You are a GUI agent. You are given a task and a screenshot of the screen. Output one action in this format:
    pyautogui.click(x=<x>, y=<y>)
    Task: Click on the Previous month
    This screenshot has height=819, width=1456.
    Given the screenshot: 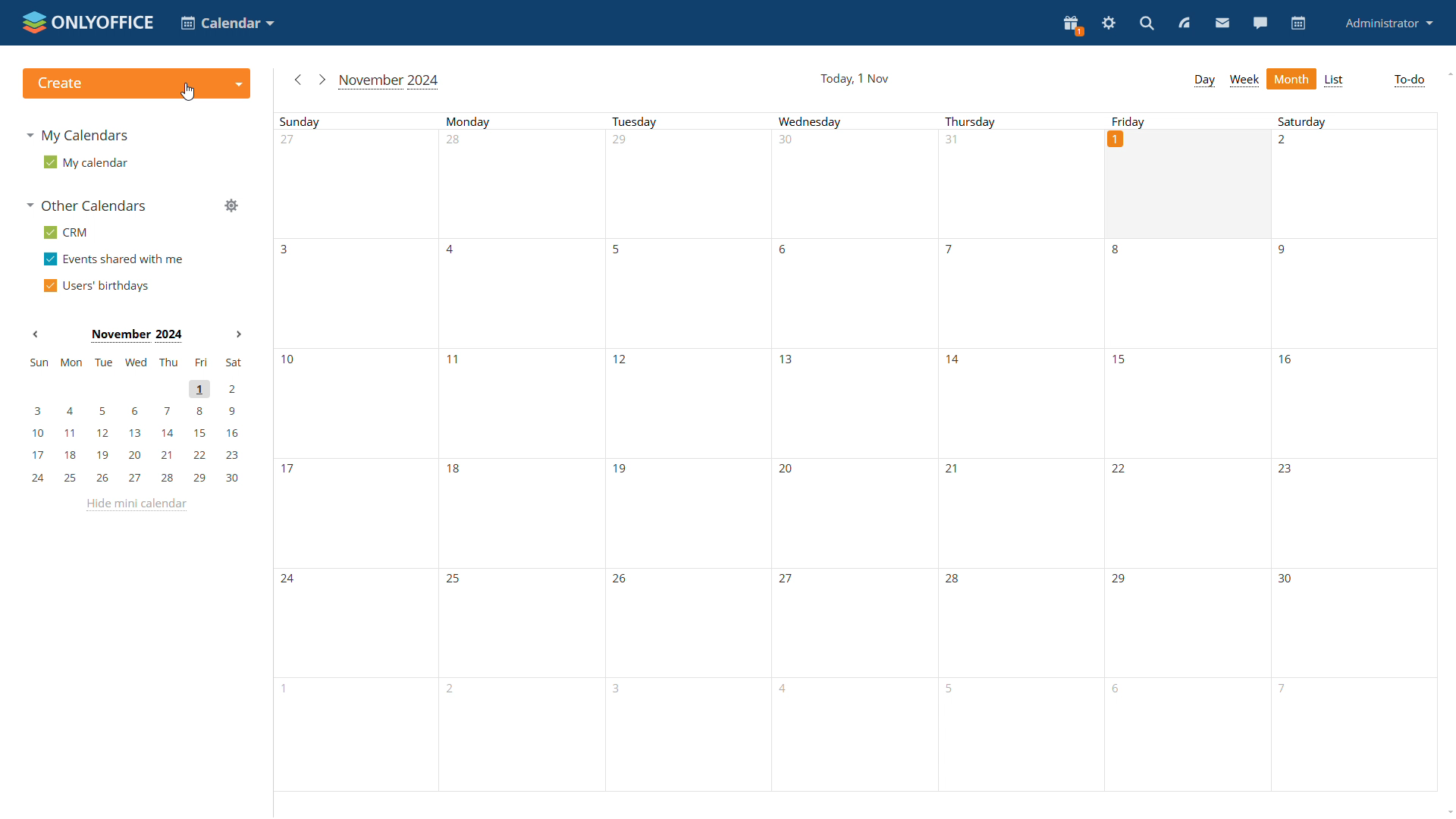 What is the action you would take?
    pyautogui.click(x=36, y=334)
    